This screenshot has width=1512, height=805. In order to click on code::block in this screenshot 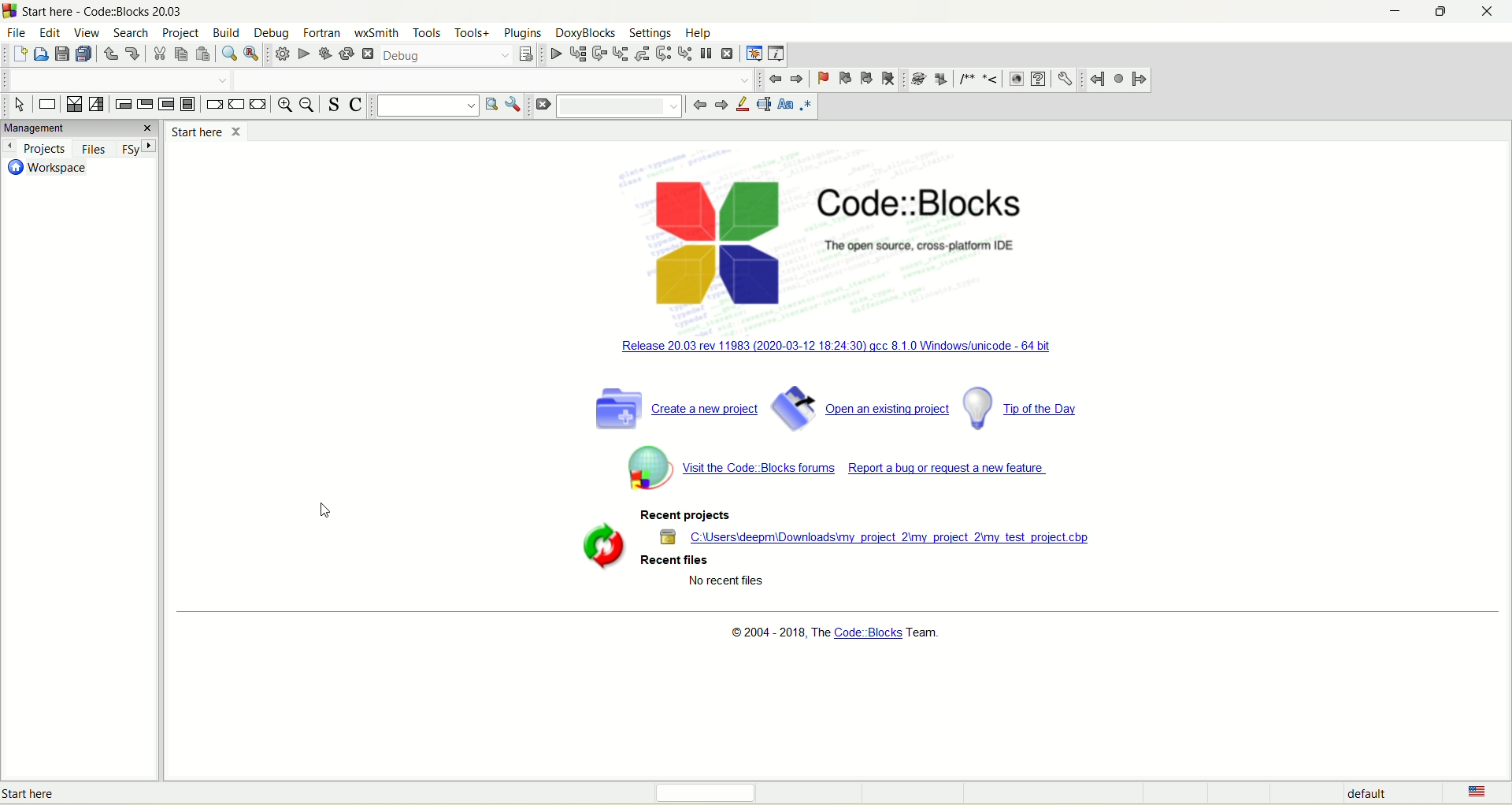, I will do `click(942, 218)`.